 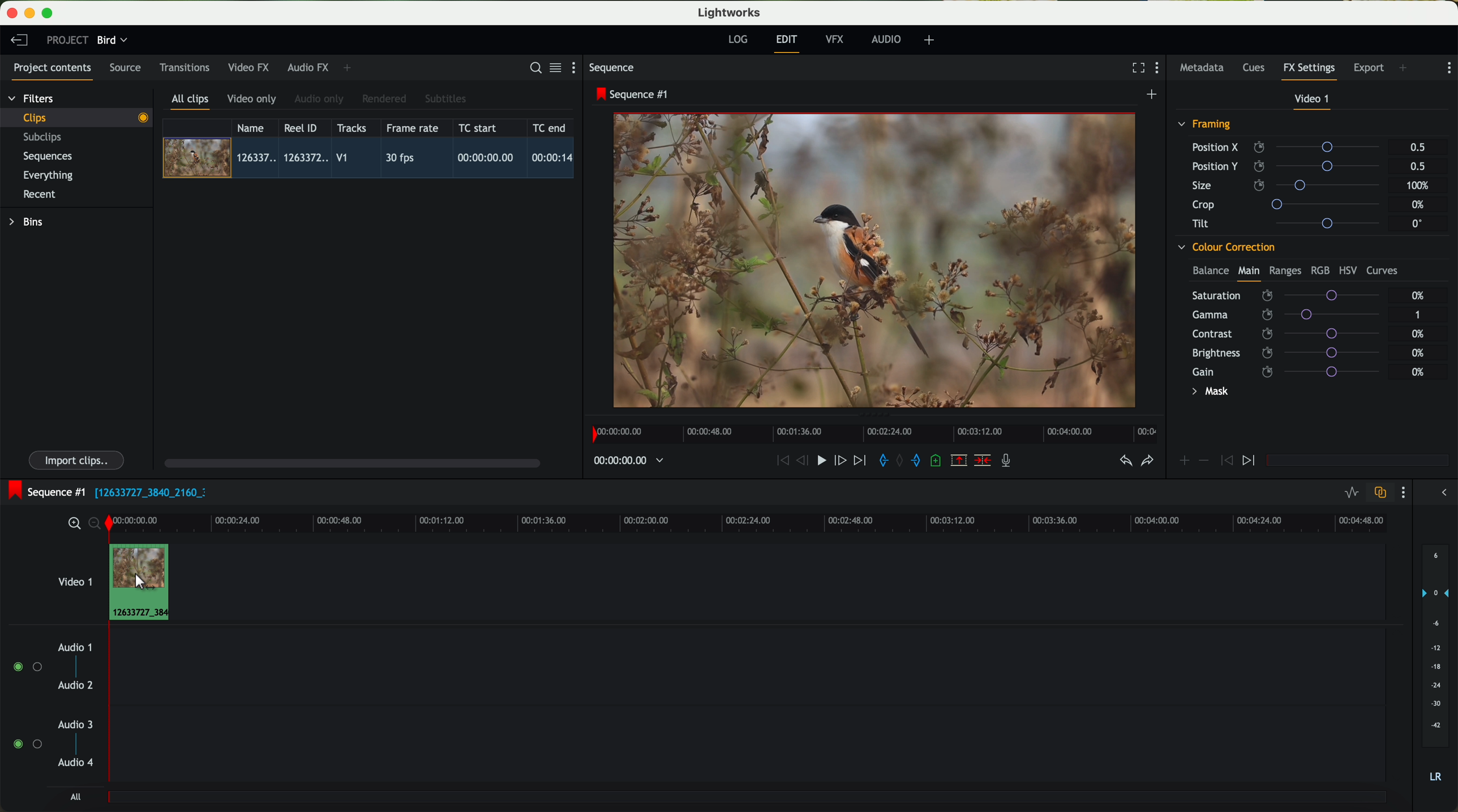 I want to click on main, so click(x=1249, y=273).